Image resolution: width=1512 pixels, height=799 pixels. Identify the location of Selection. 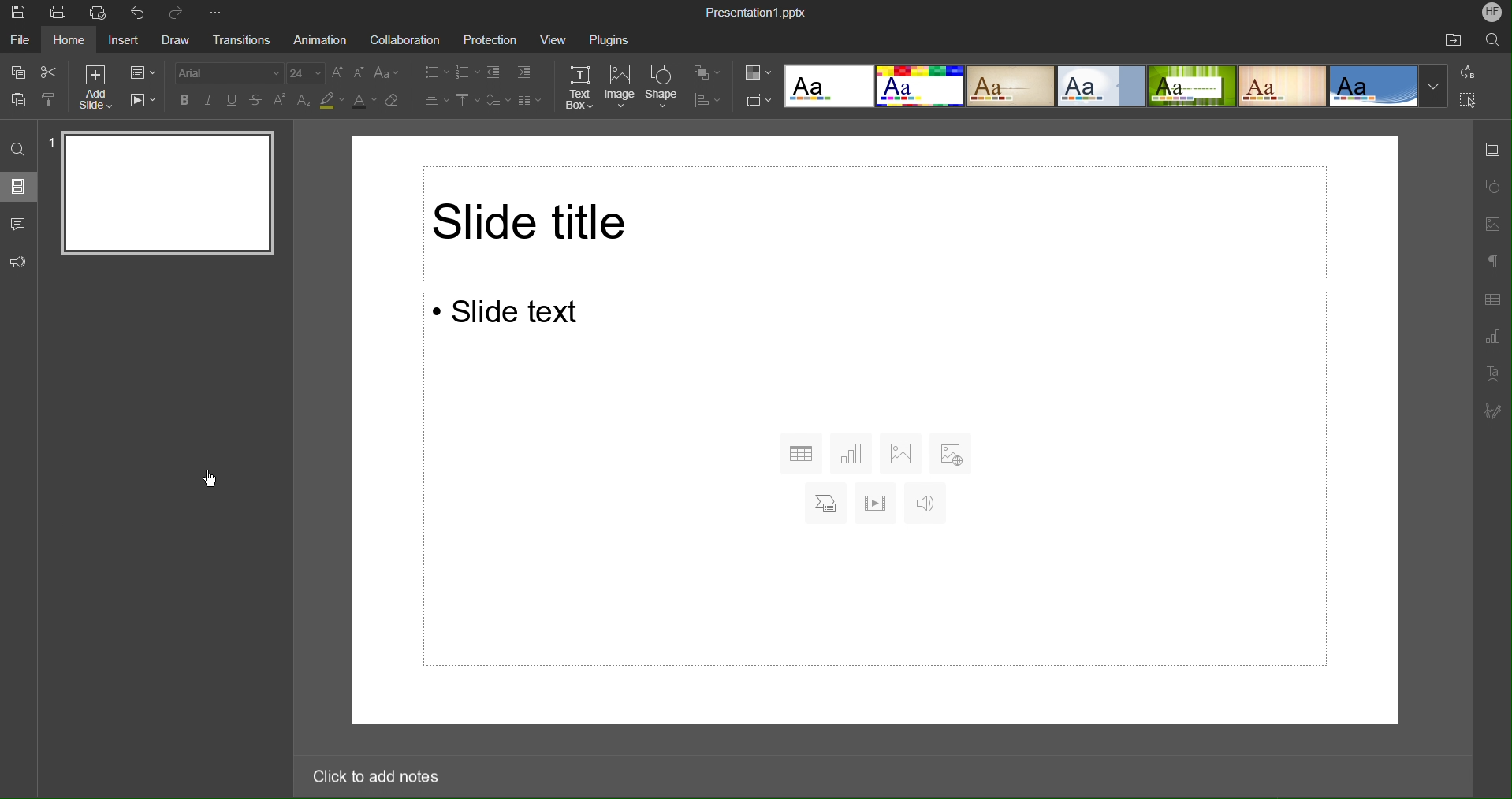
(1467, 100).